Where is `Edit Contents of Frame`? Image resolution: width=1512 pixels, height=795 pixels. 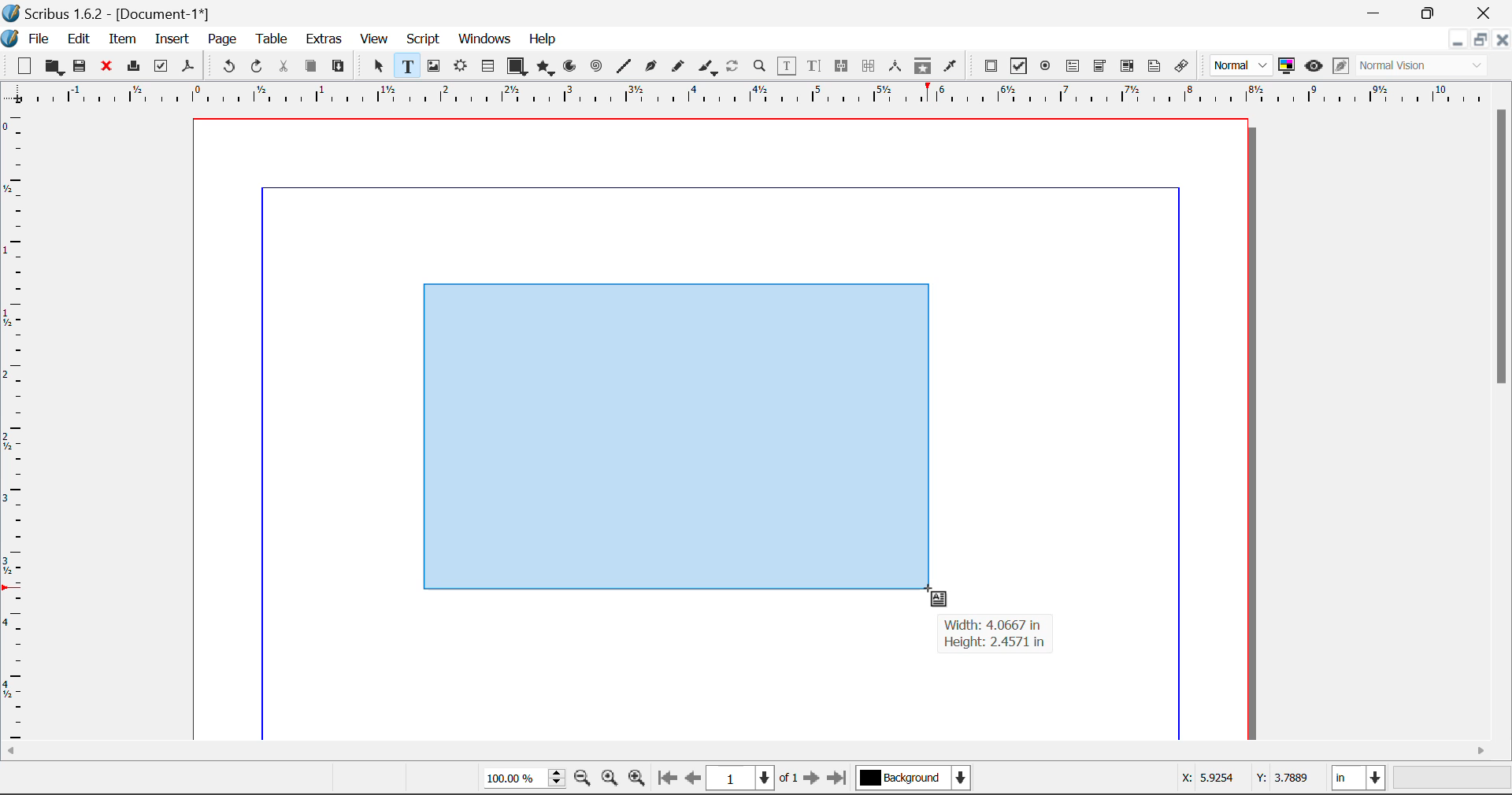 Edit Contents of Frame is located at coordinates (787, 65).